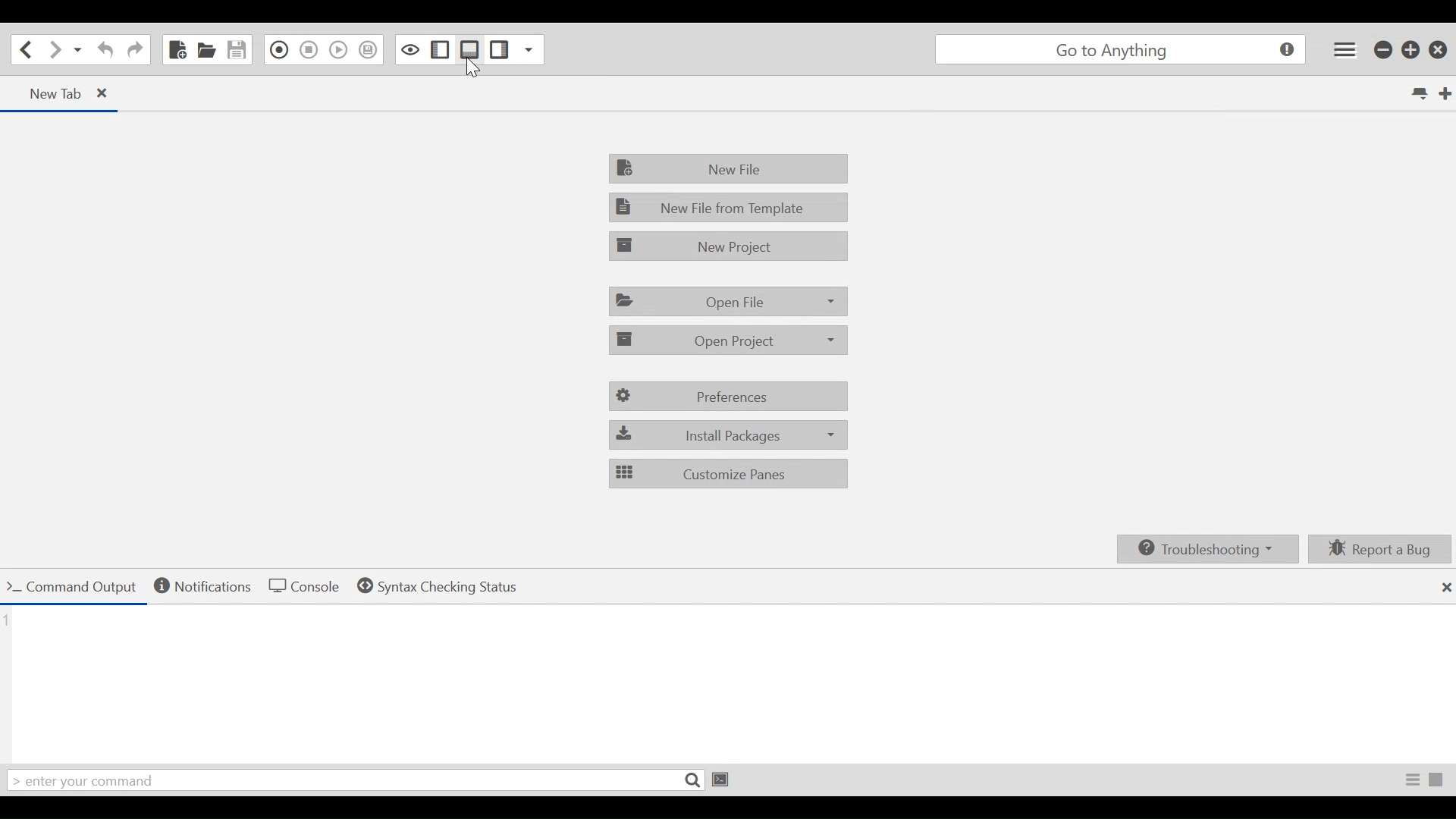  Describe the element at coordinates (727, 303) in the screenshot. I see `Open File` at that location.